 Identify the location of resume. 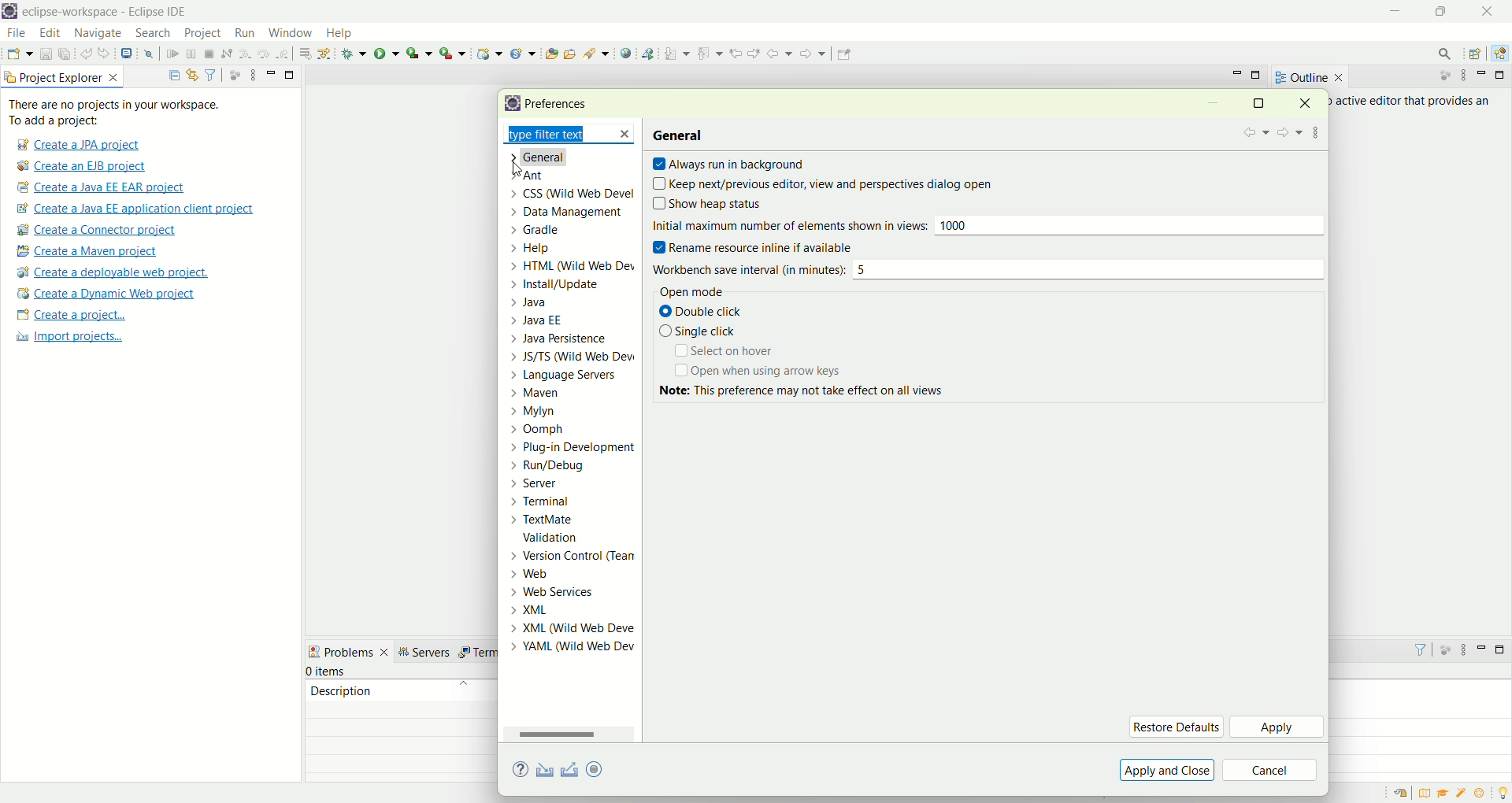
(173, 55).